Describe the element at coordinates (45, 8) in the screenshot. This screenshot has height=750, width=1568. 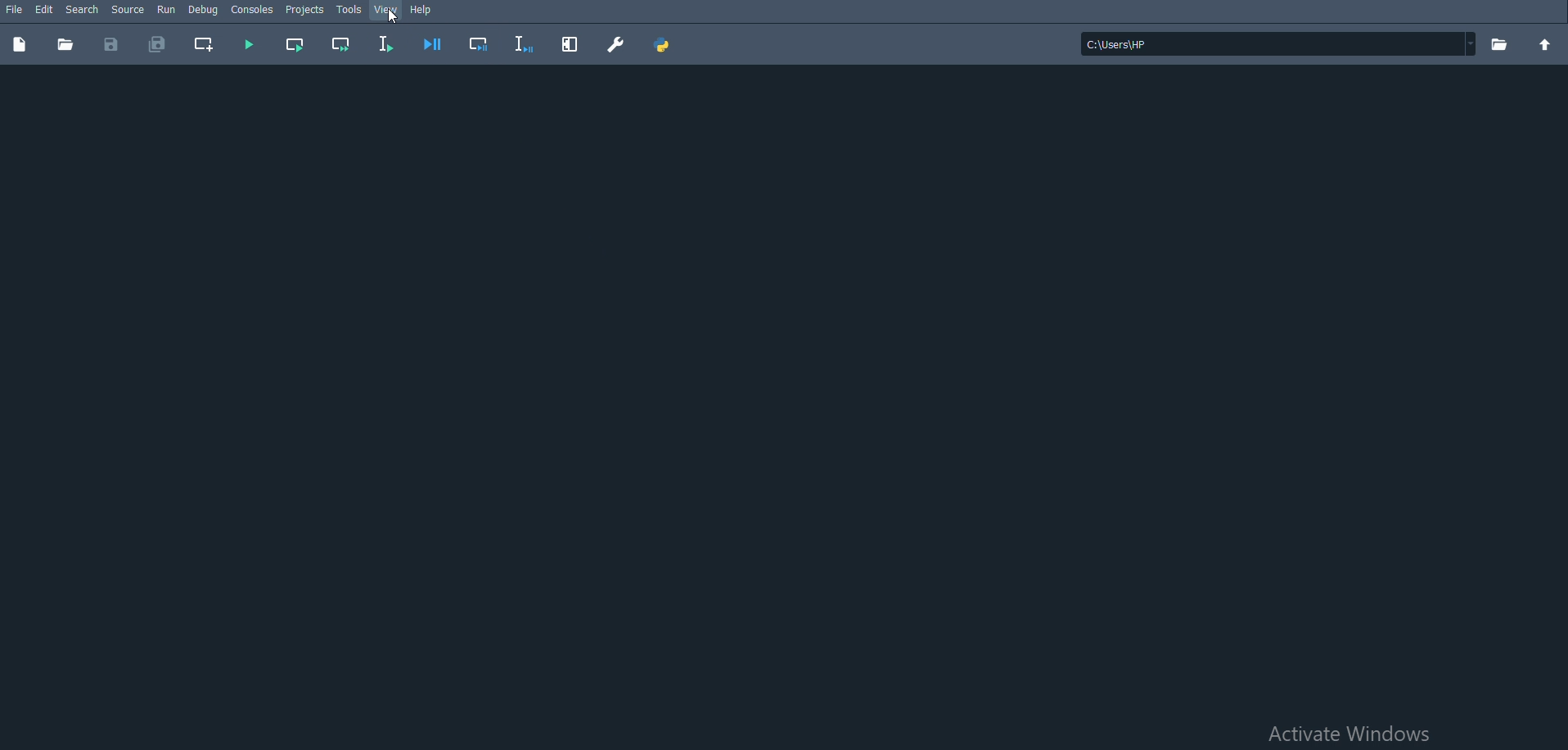
I see `Edit` at that location.